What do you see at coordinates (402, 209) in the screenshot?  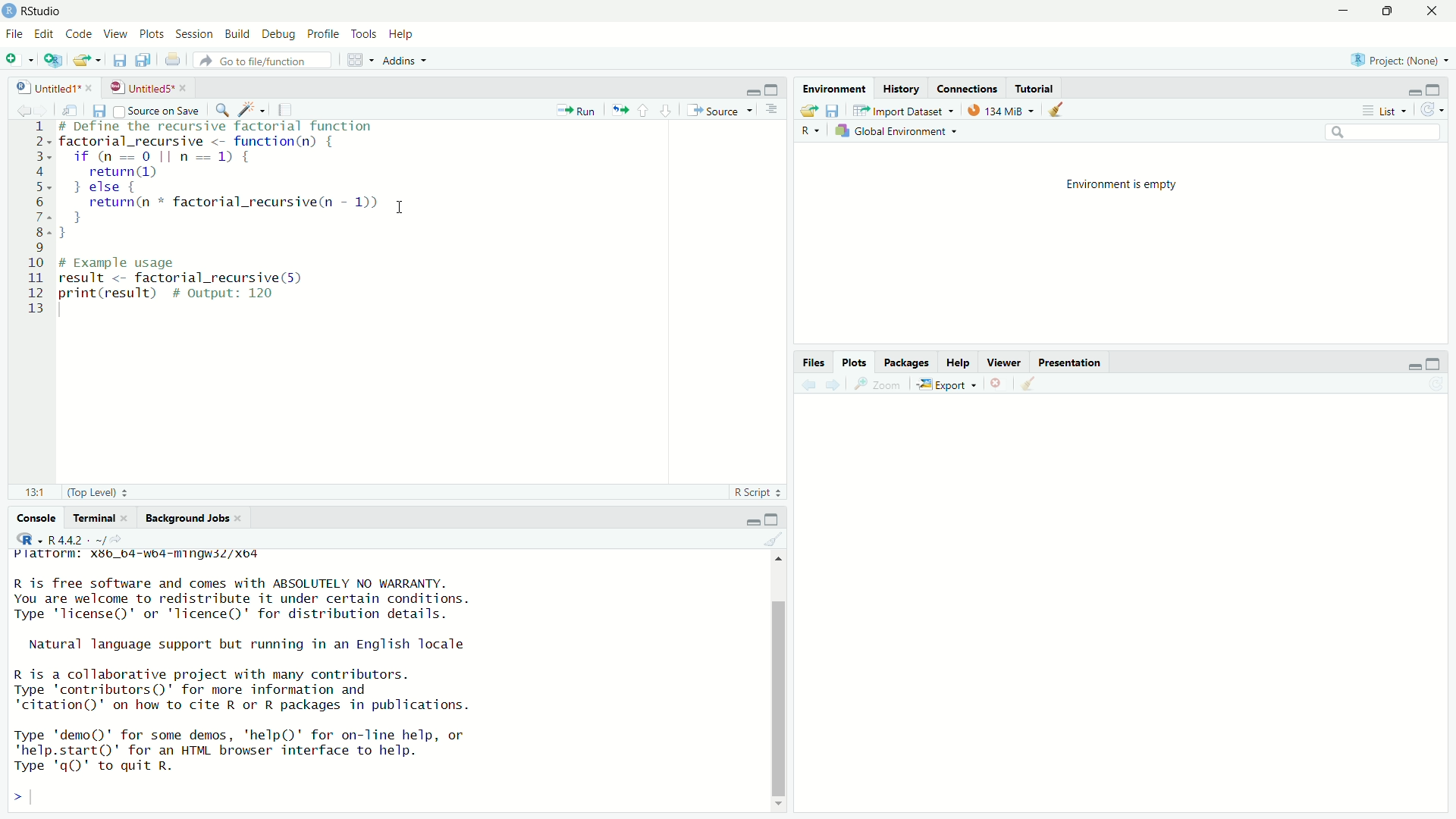 I see `Text cursor` at bounding box center [402, 209].